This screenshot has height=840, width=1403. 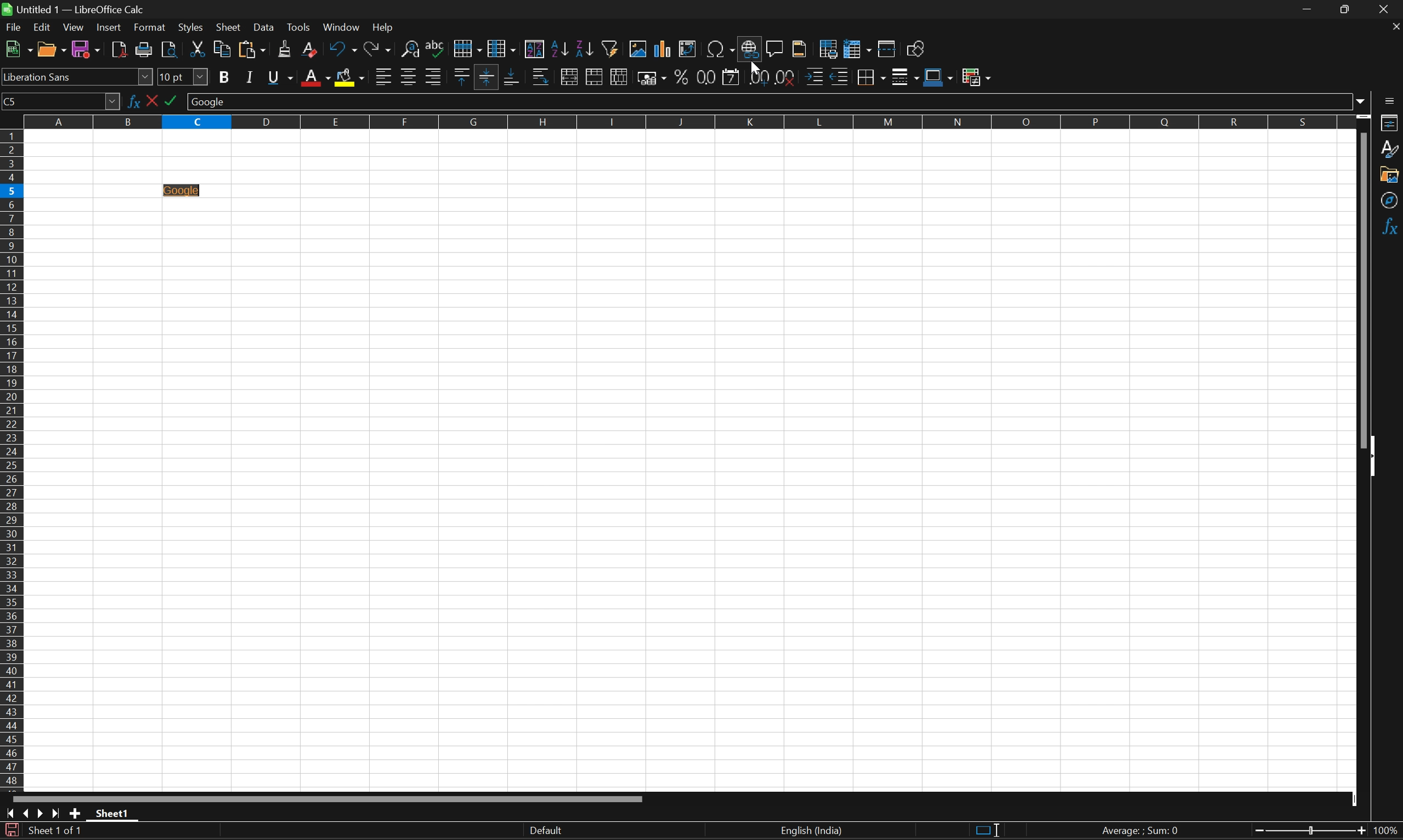 What do you see at coordinates (251, 78) in the screenshot?
I see `Italic` at bounding box center [251, 78].